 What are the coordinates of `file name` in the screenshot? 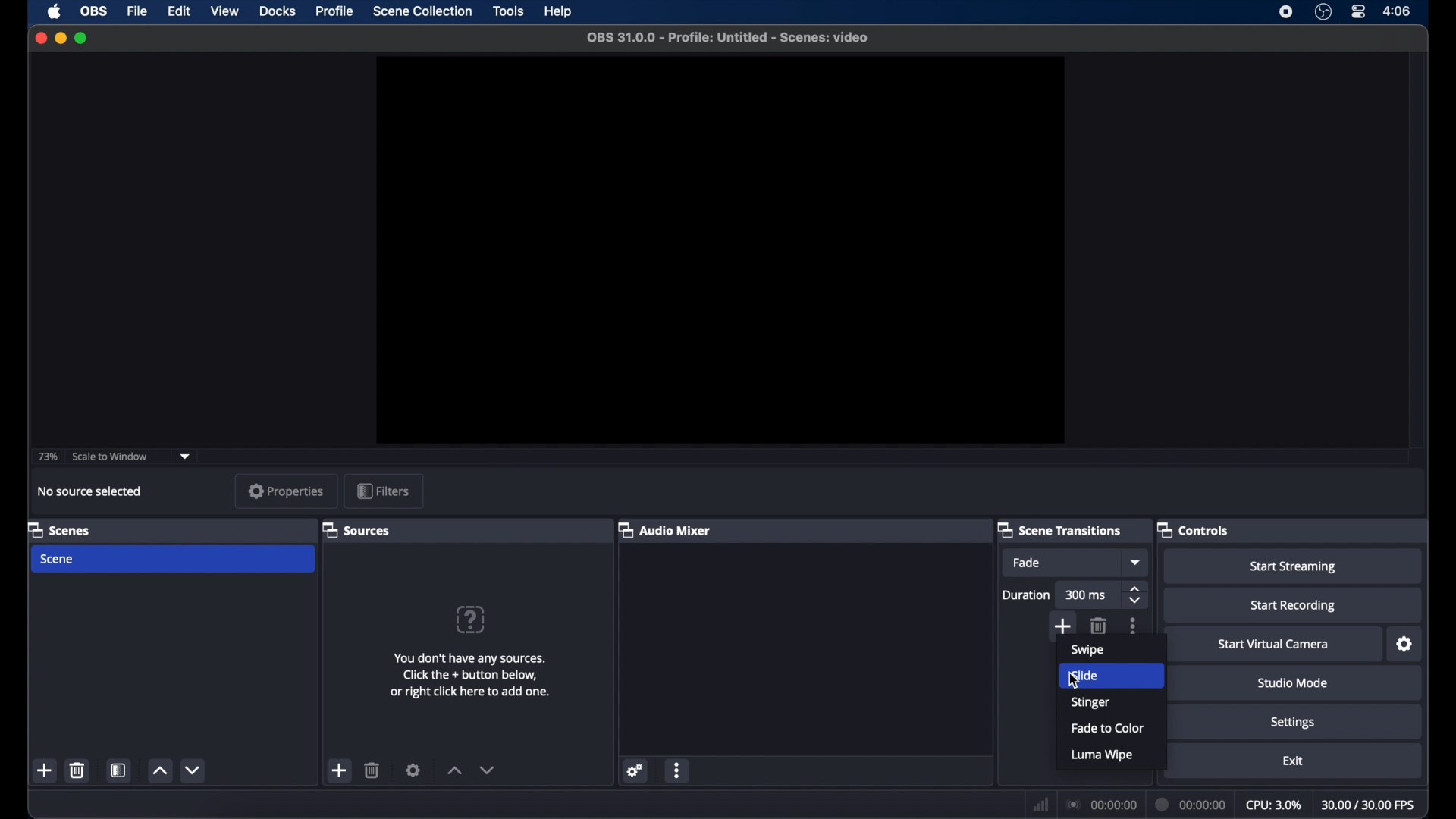 It's located at (727, 38).